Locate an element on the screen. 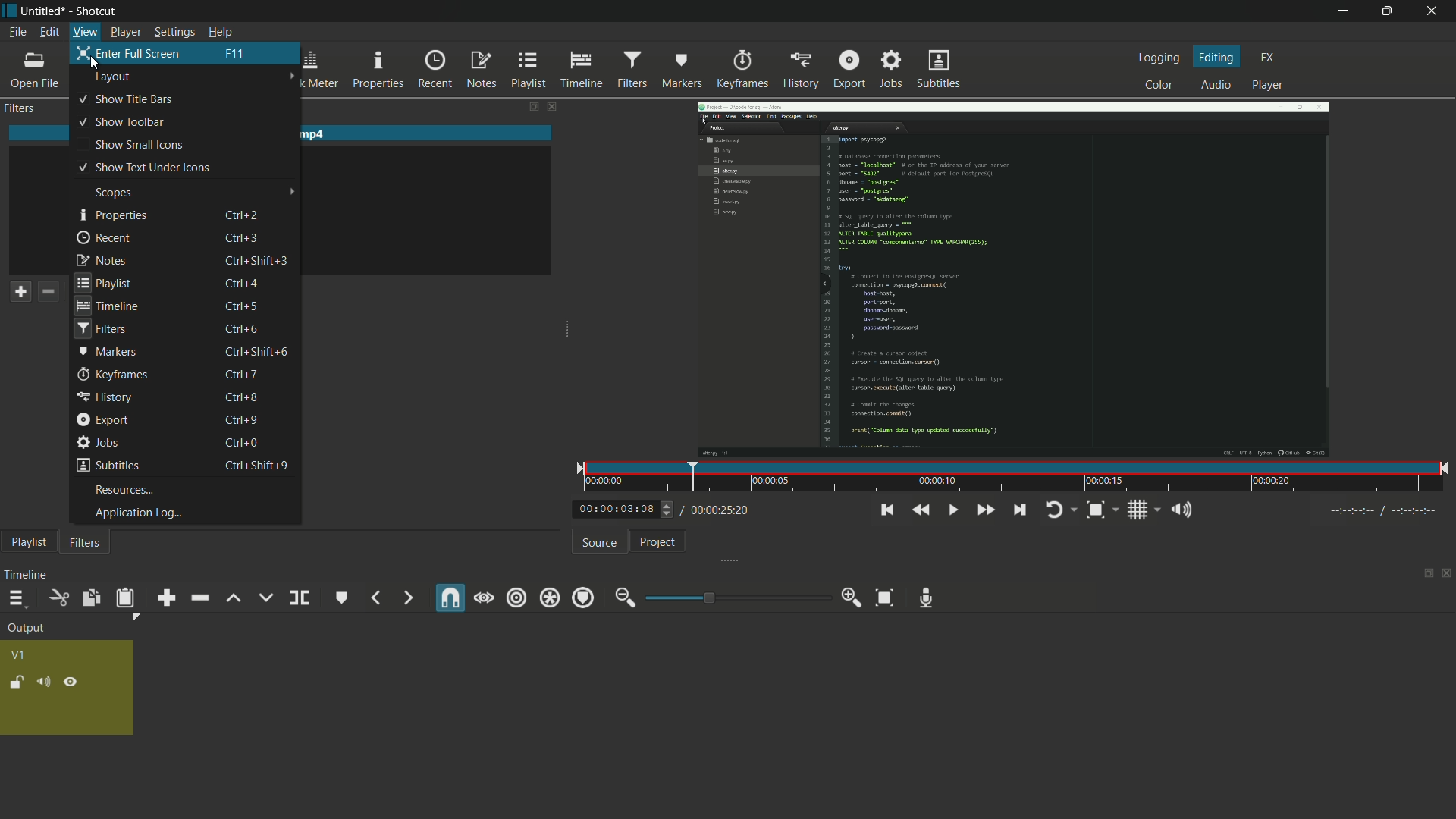  toggle player looping is located at coordinates (1056, 510).